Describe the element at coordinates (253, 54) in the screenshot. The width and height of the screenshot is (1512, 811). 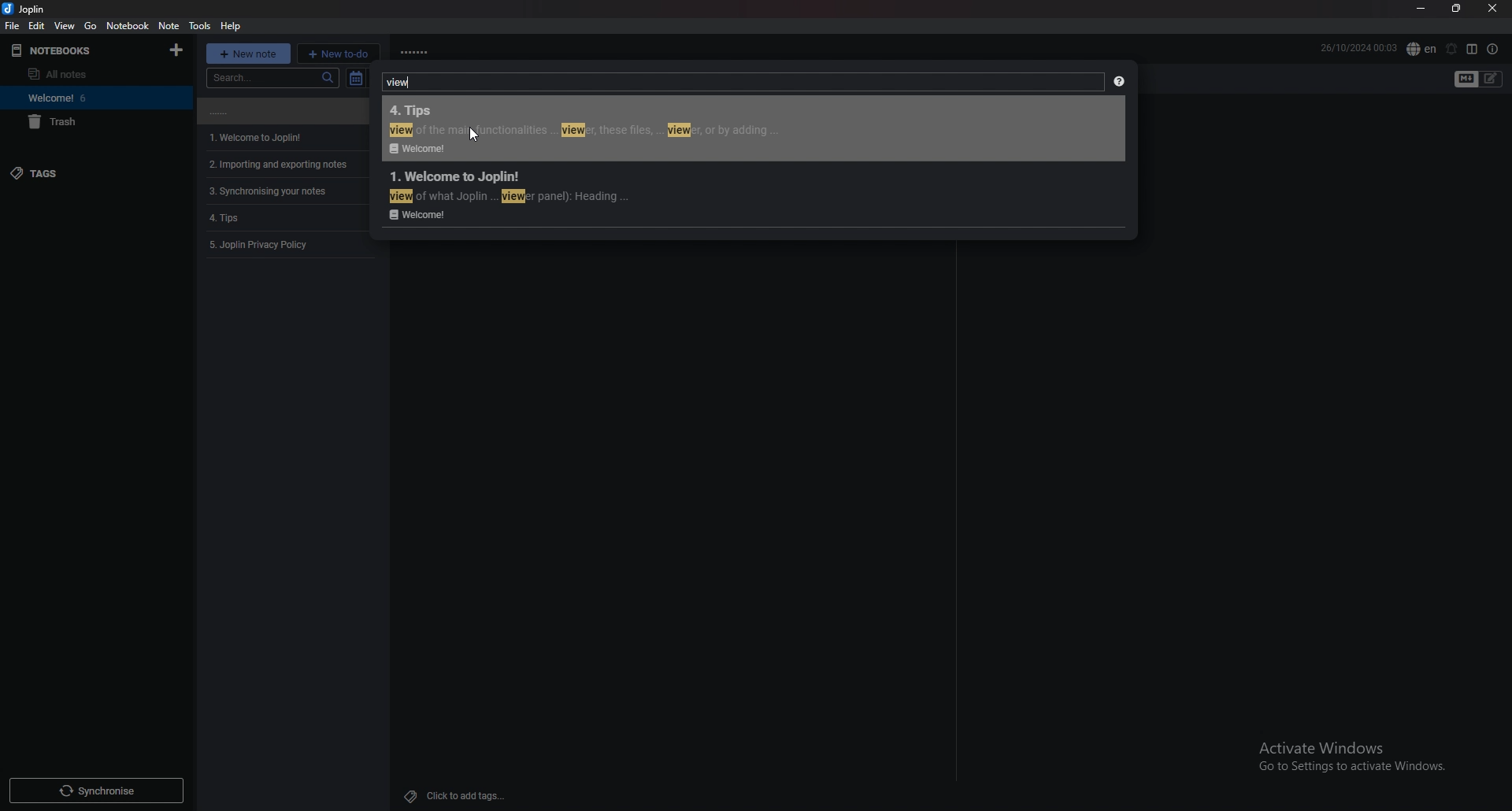
I see `new note` at that location.